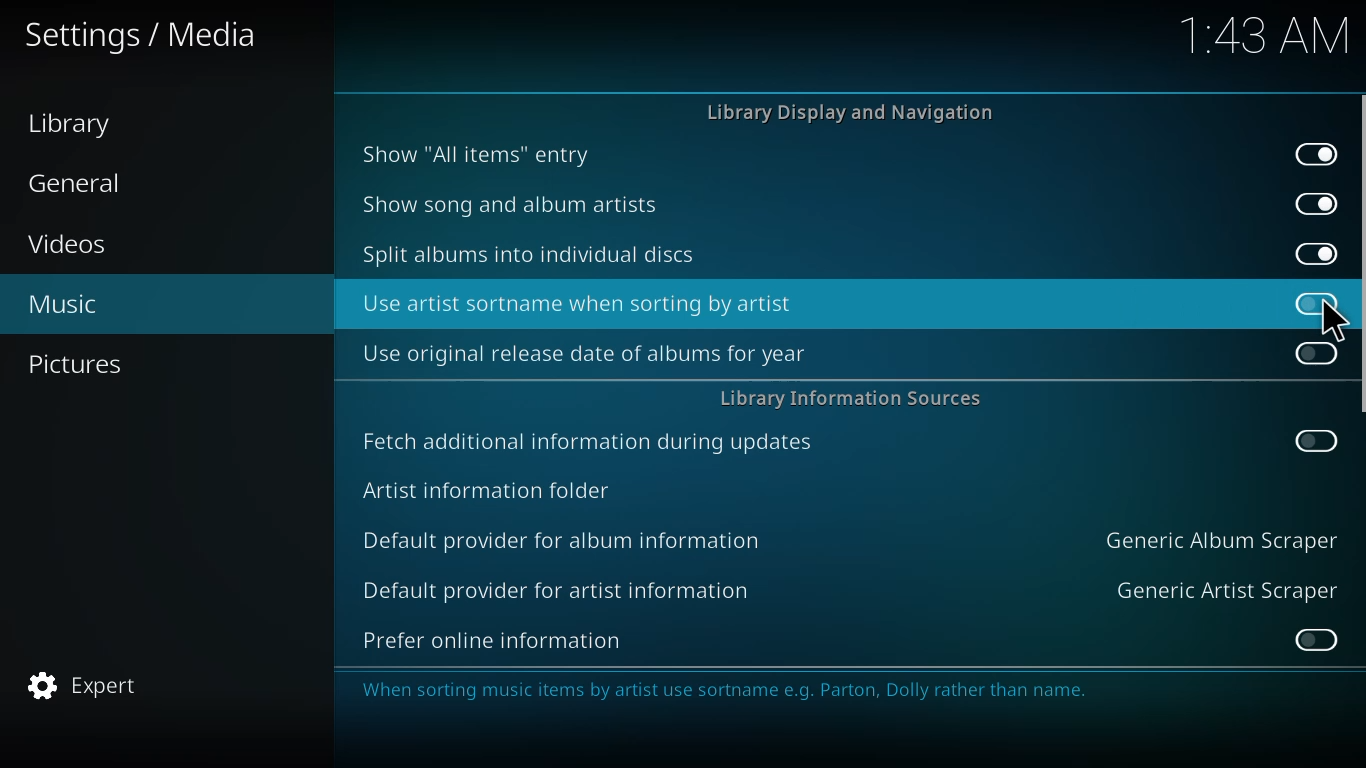  What do you see at coordinates (1313, 302) in the screenshot?
I see `click to enable` at bounding box center [1313, 302].